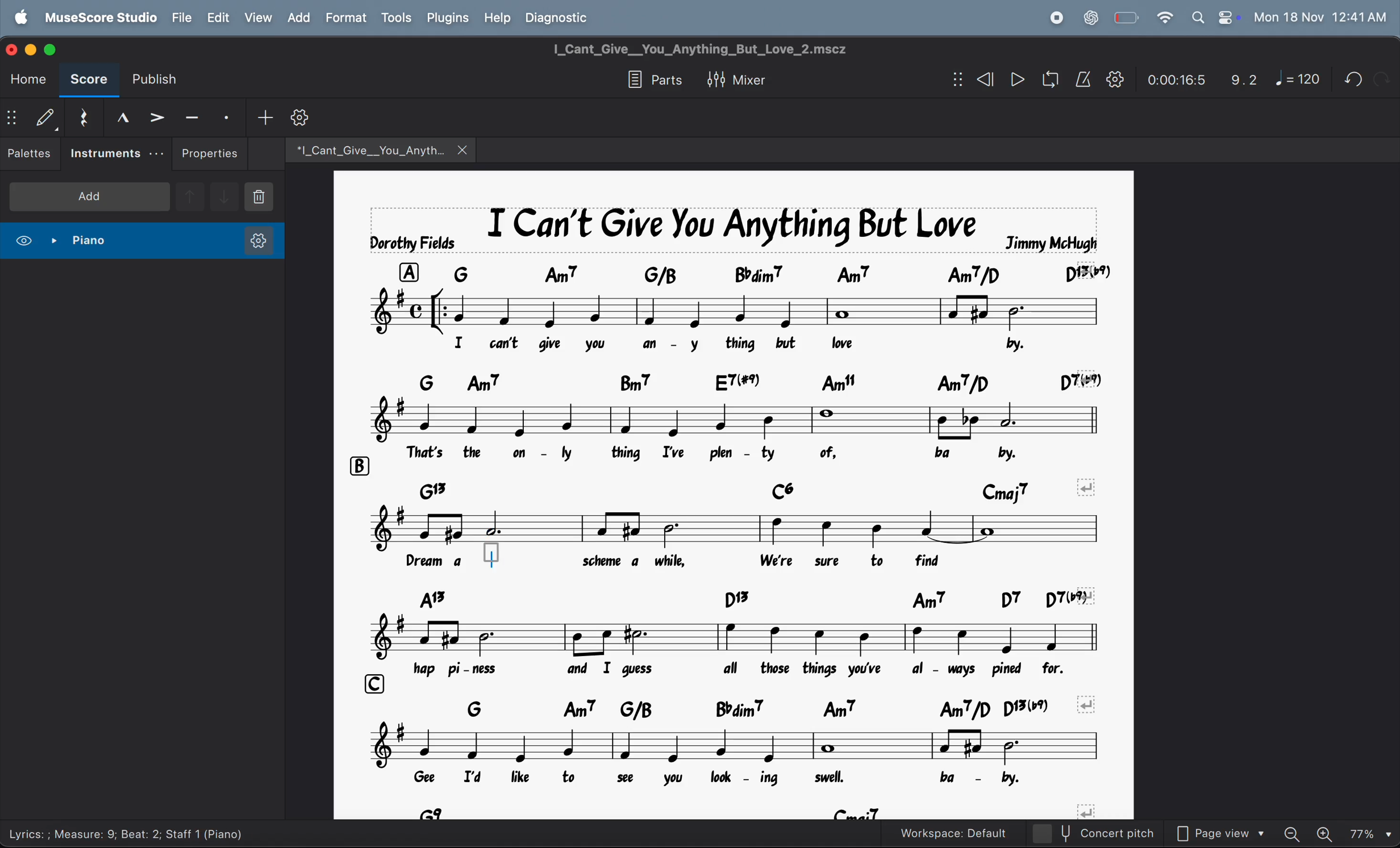 This screenshot has height=848, width=1400. I want to click on format, so click(348, 19).